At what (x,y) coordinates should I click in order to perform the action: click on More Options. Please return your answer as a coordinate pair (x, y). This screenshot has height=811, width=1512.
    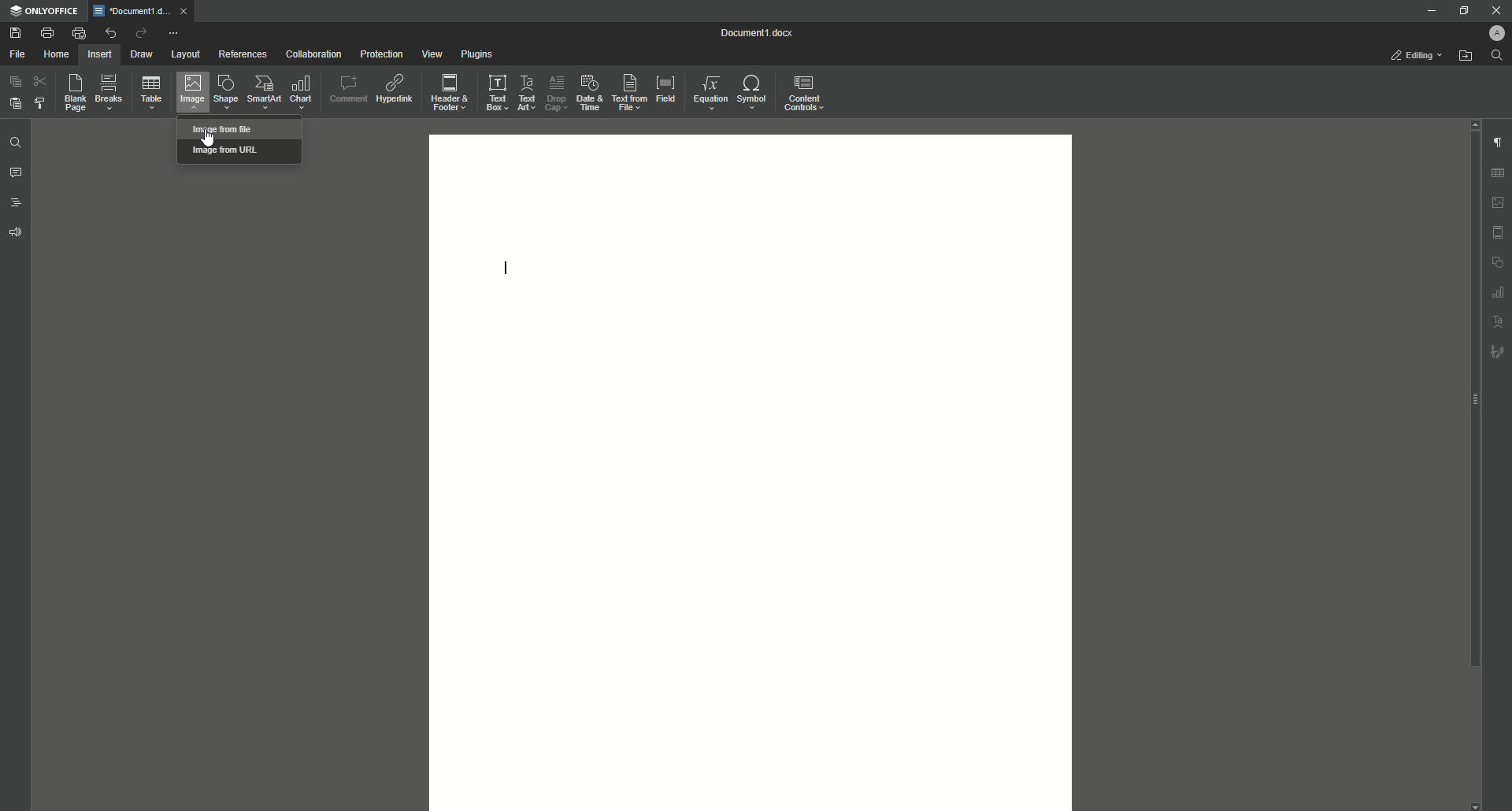
    Looking at the image, I should click on (176, 33).